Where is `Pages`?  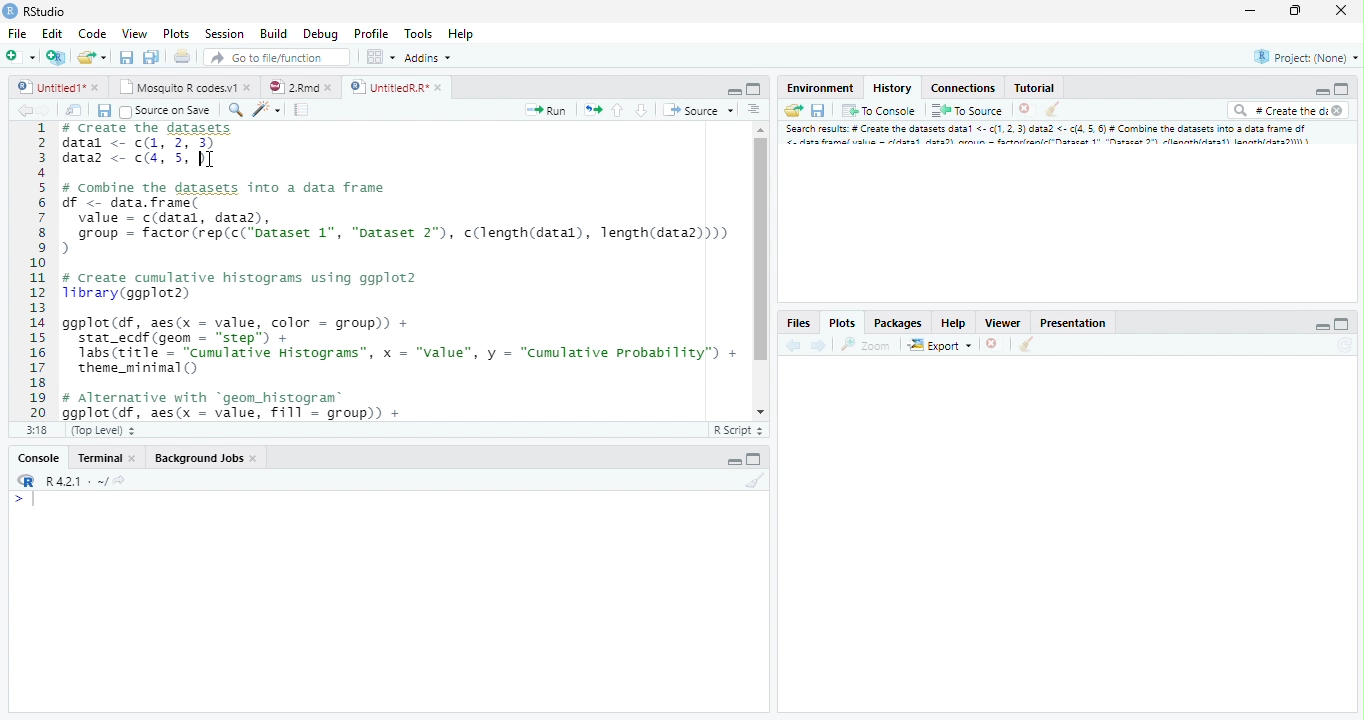
Pages is located at coordinates (593, 112).